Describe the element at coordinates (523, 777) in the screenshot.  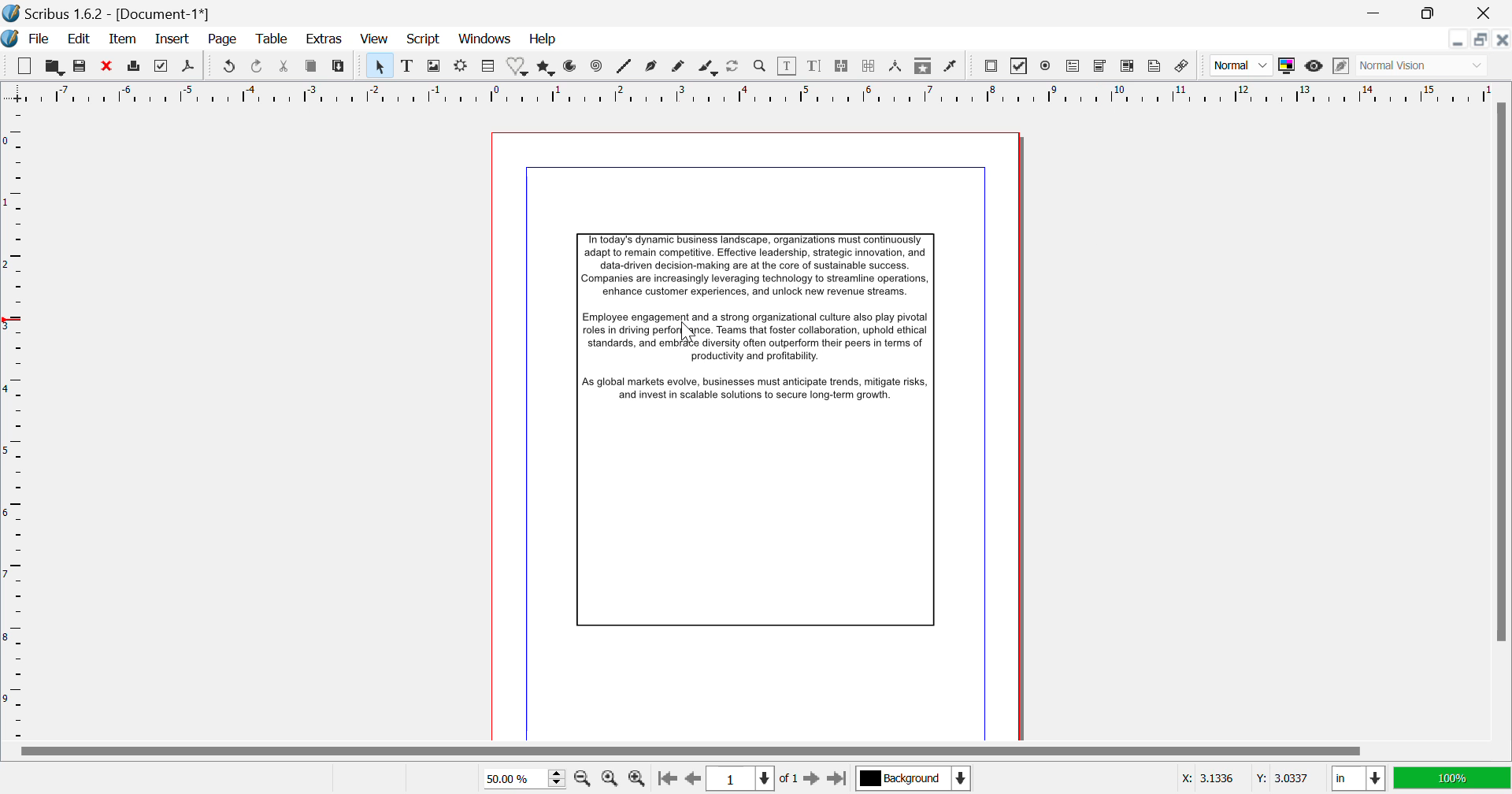
I see `Zoom 50%` at that location.